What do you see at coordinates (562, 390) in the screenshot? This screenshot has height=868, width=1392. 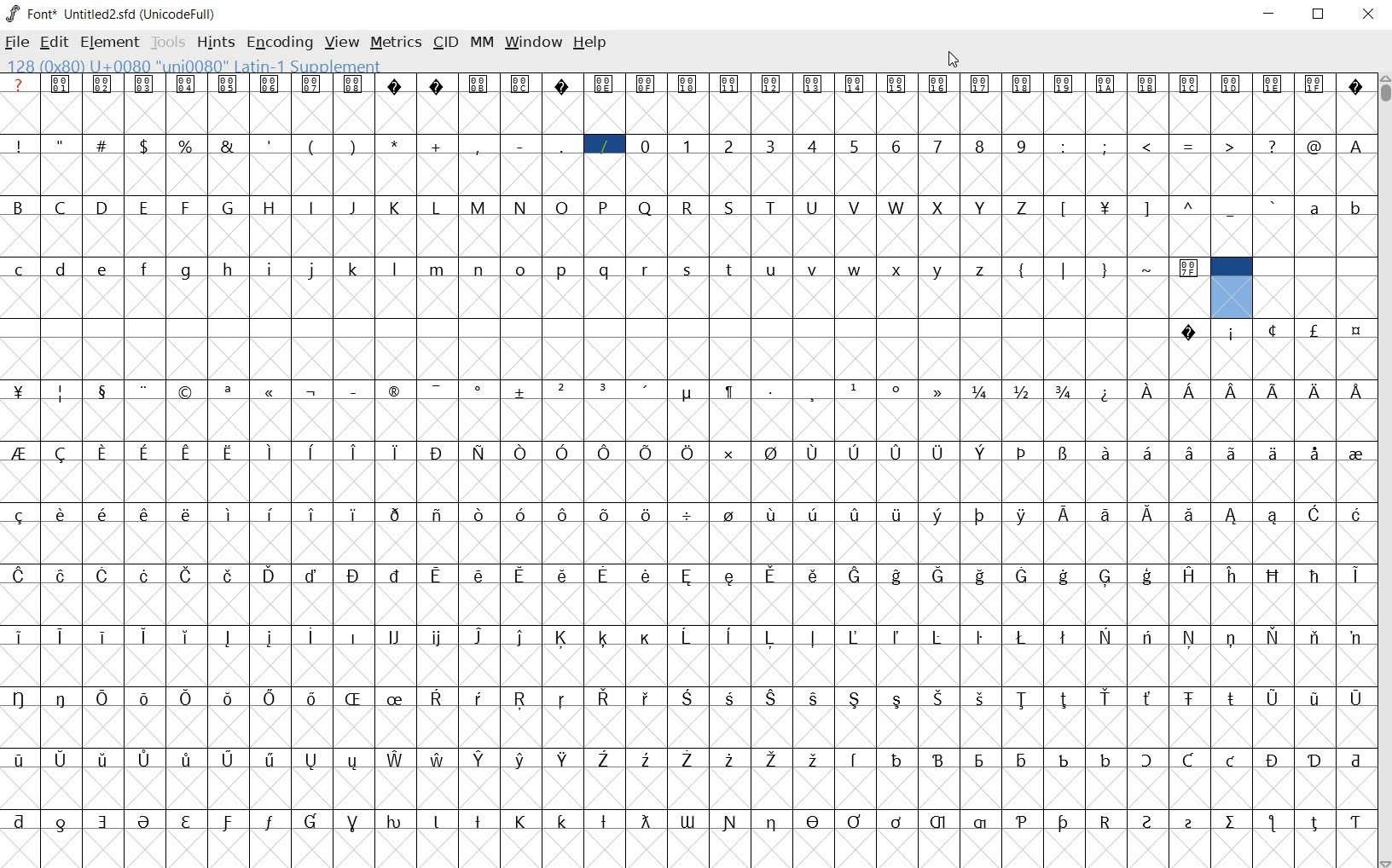 I see `Symbol` at bounding box center [562, 390].